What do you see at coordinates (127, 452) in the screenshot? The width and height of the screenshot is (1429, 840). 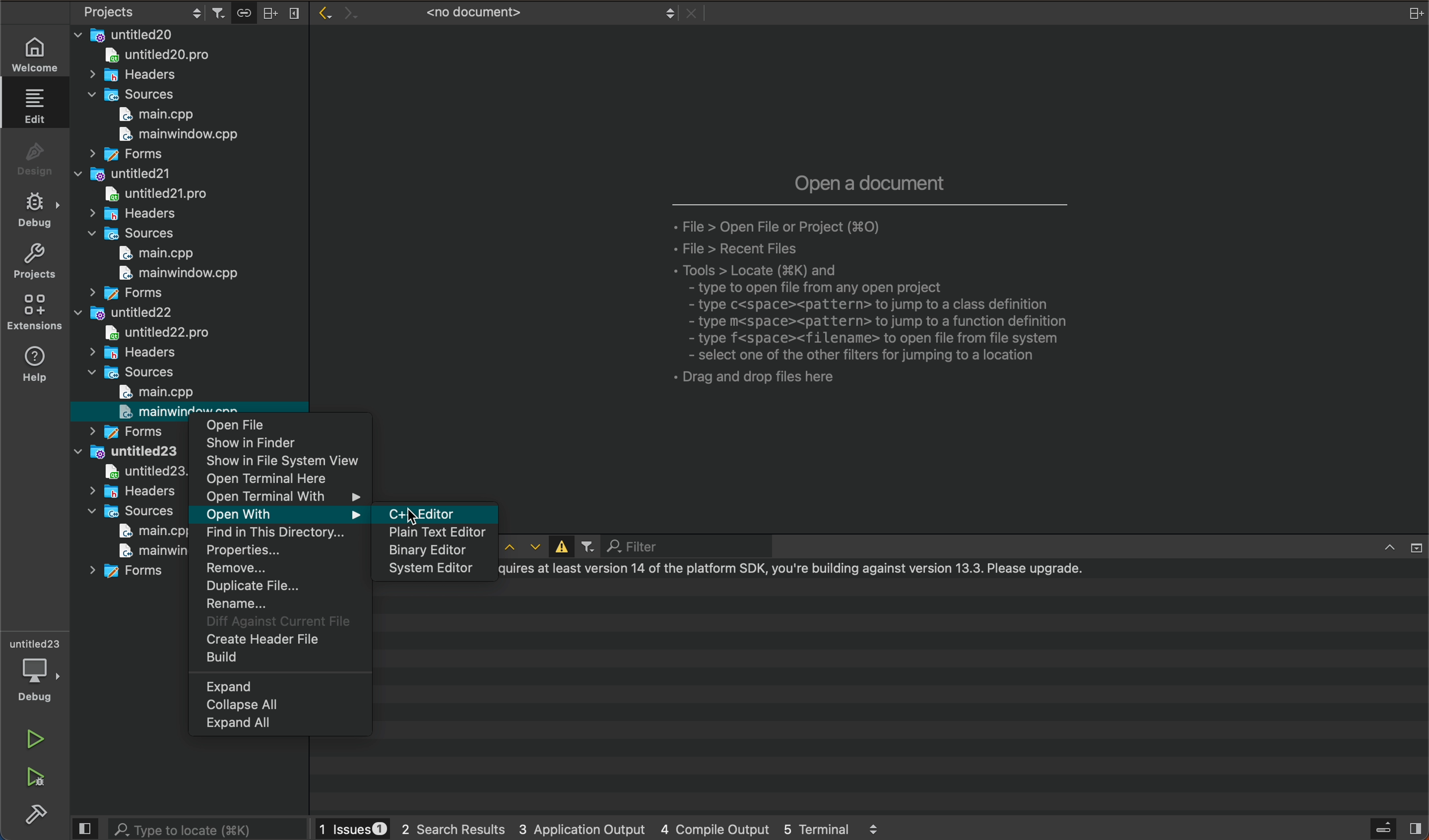 I see `untitled23` at bounding box center [127, 452].